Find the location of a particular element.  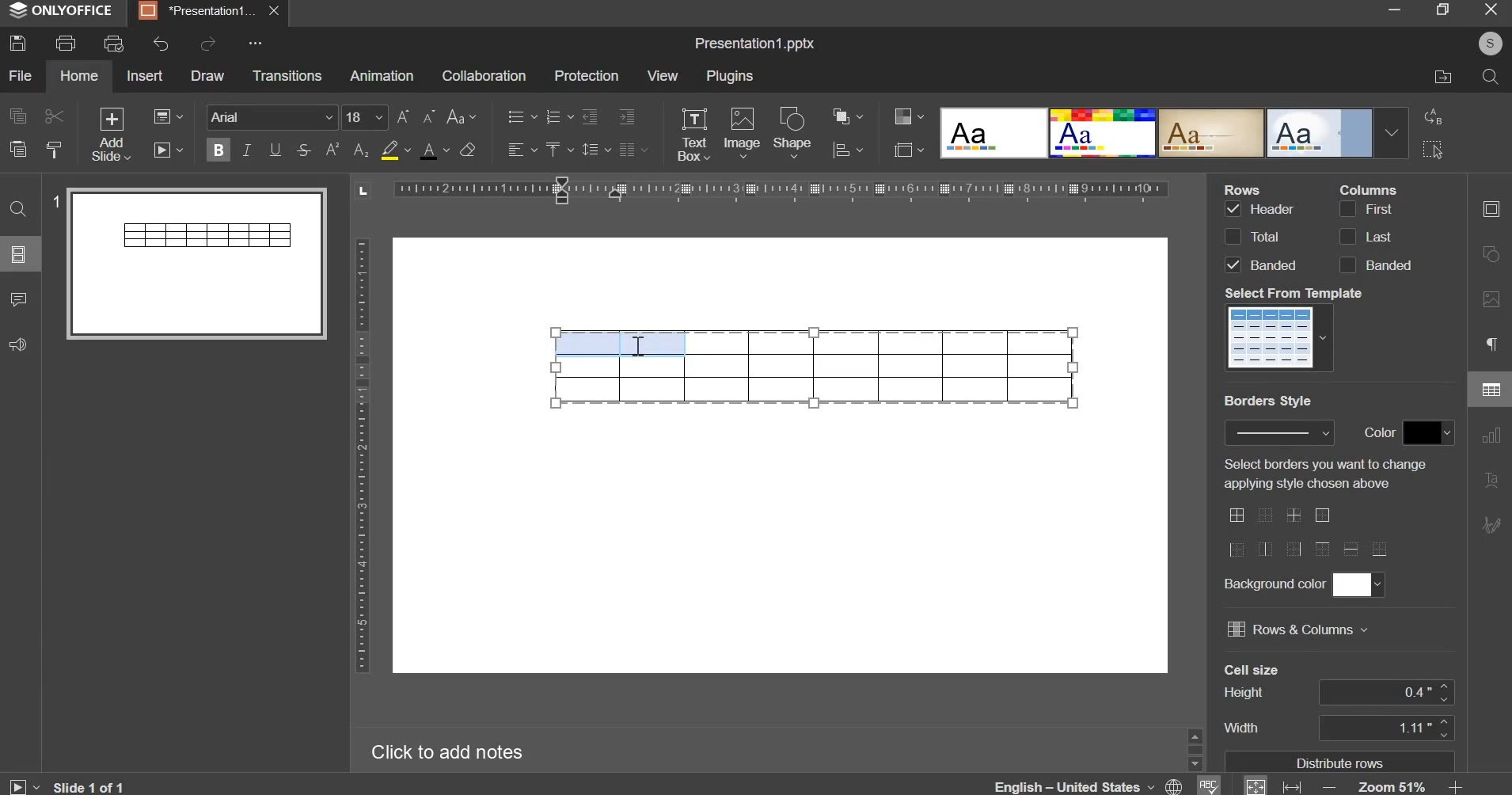

protection is located at coordinates (586, 76).